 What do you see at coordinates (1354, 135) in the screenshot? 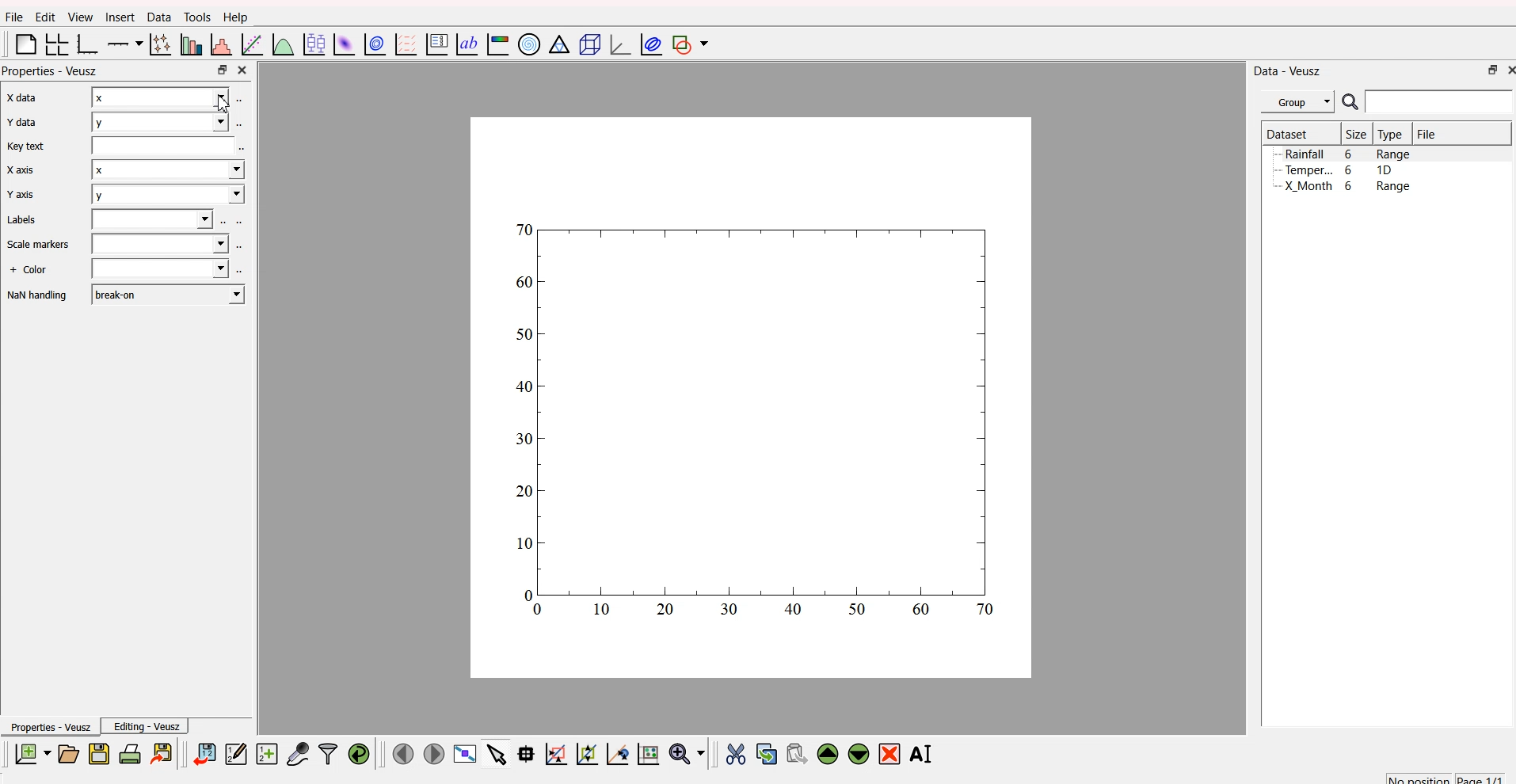
I see `| Size` at bounding box center [1354, 135].